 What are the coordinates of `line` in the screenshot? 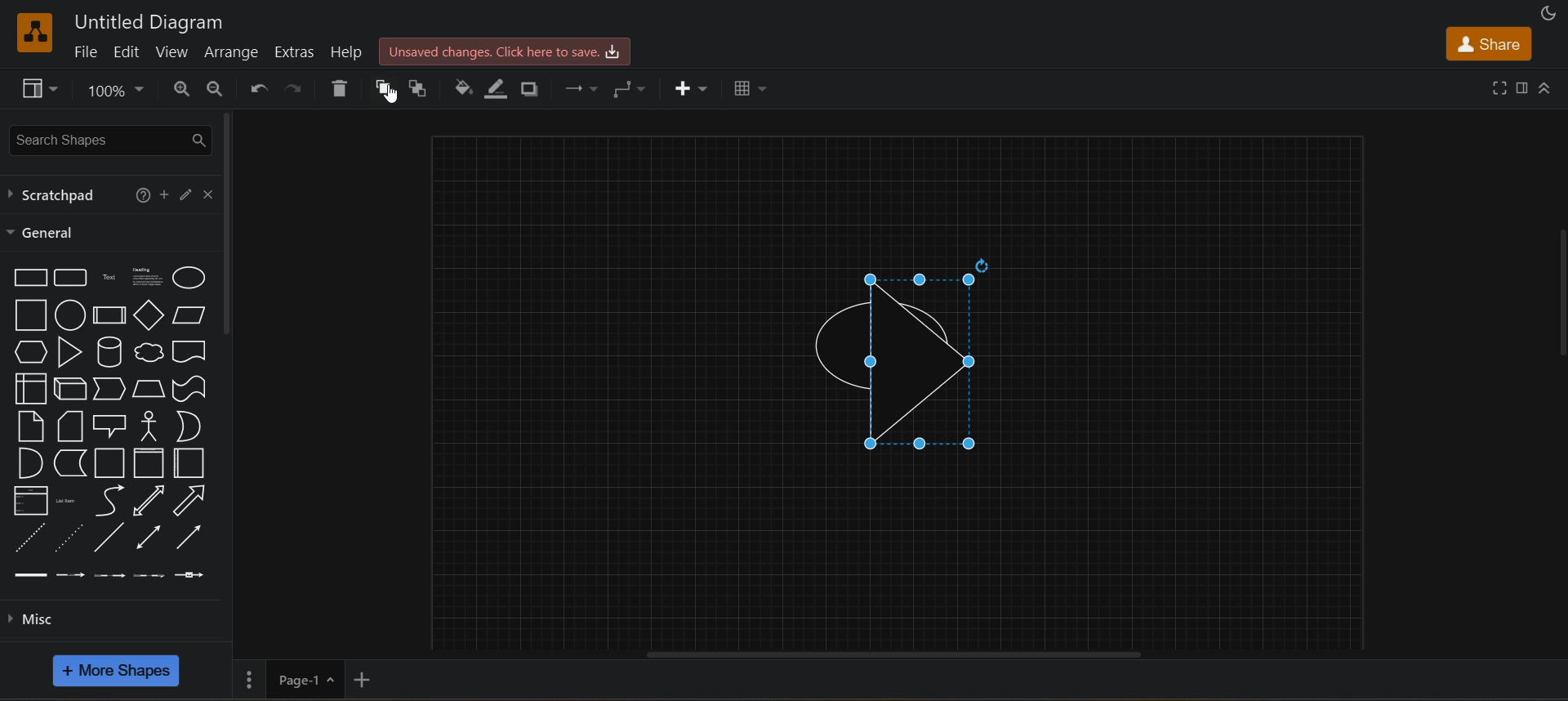 It's located at (109, 537).